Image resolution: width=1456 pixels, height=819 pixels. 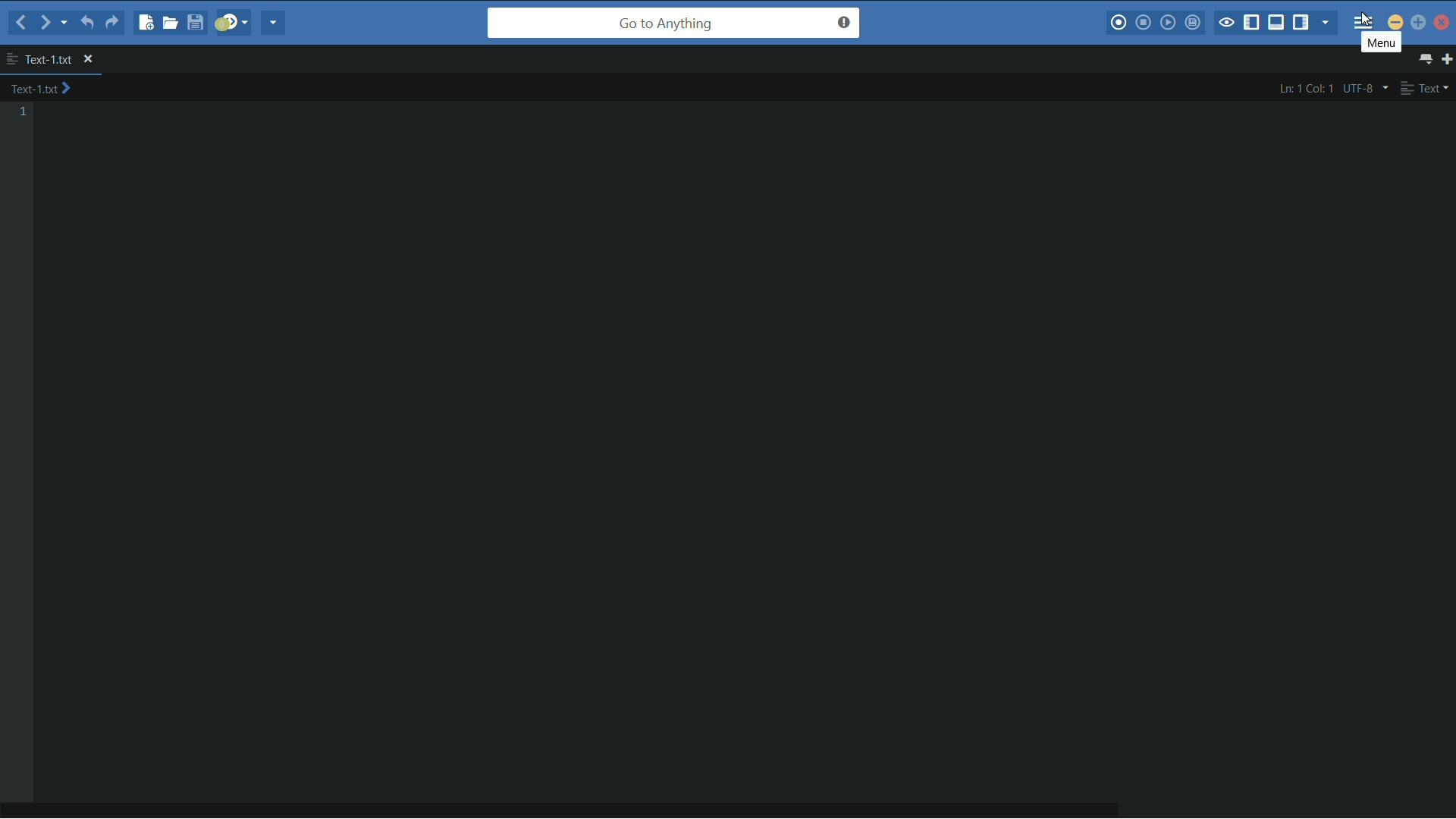 What do you see at coordinates (21, 22) in the screenshot?
I see `back` at bounding box center [21, 22].